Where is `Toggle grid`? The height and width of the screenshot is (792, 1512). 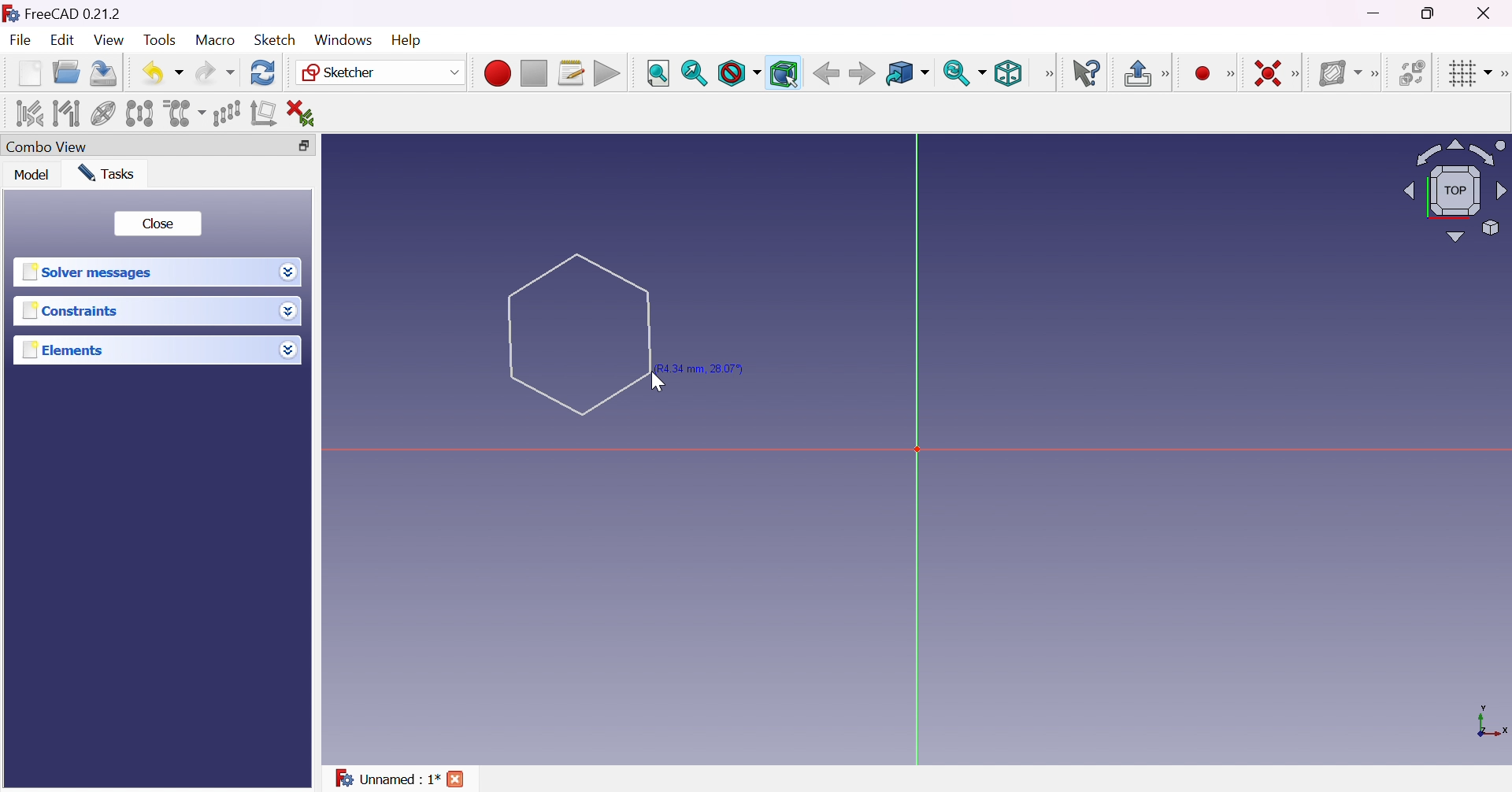
Toggle grid is located at coordinates (1471, 74).